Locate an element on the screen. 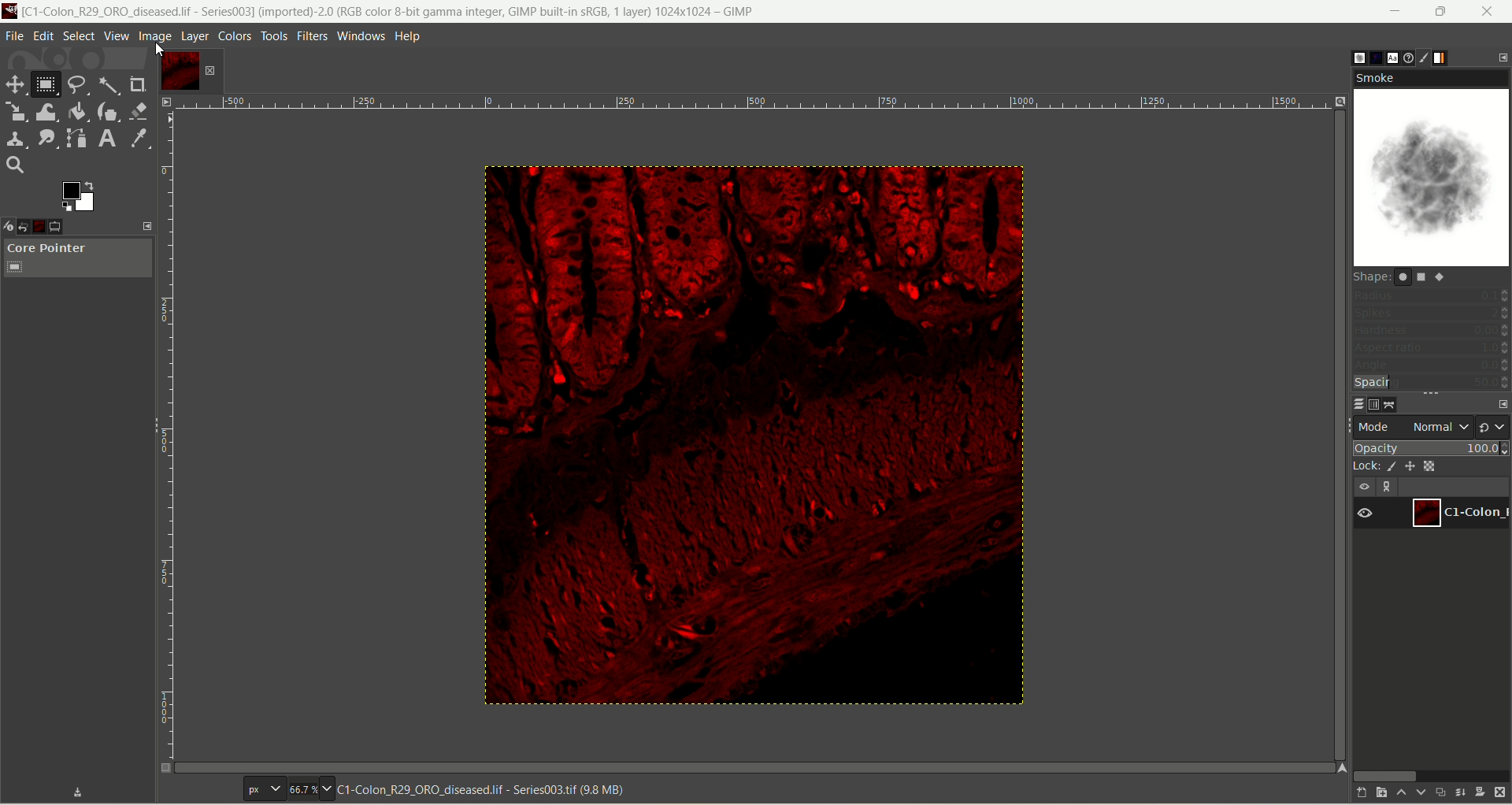  image is located at coordinates (154, 35).